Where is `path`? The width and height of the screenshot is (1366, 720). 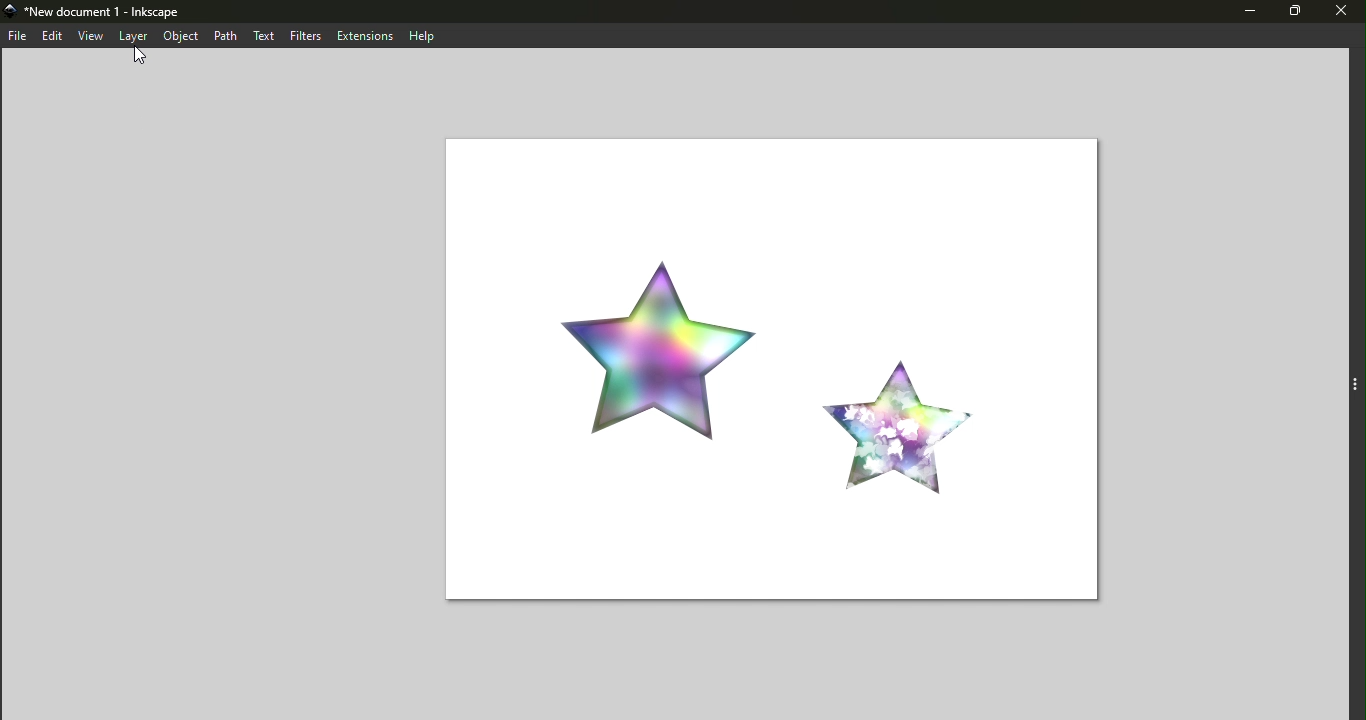 path is located at coordinates (225, 34).